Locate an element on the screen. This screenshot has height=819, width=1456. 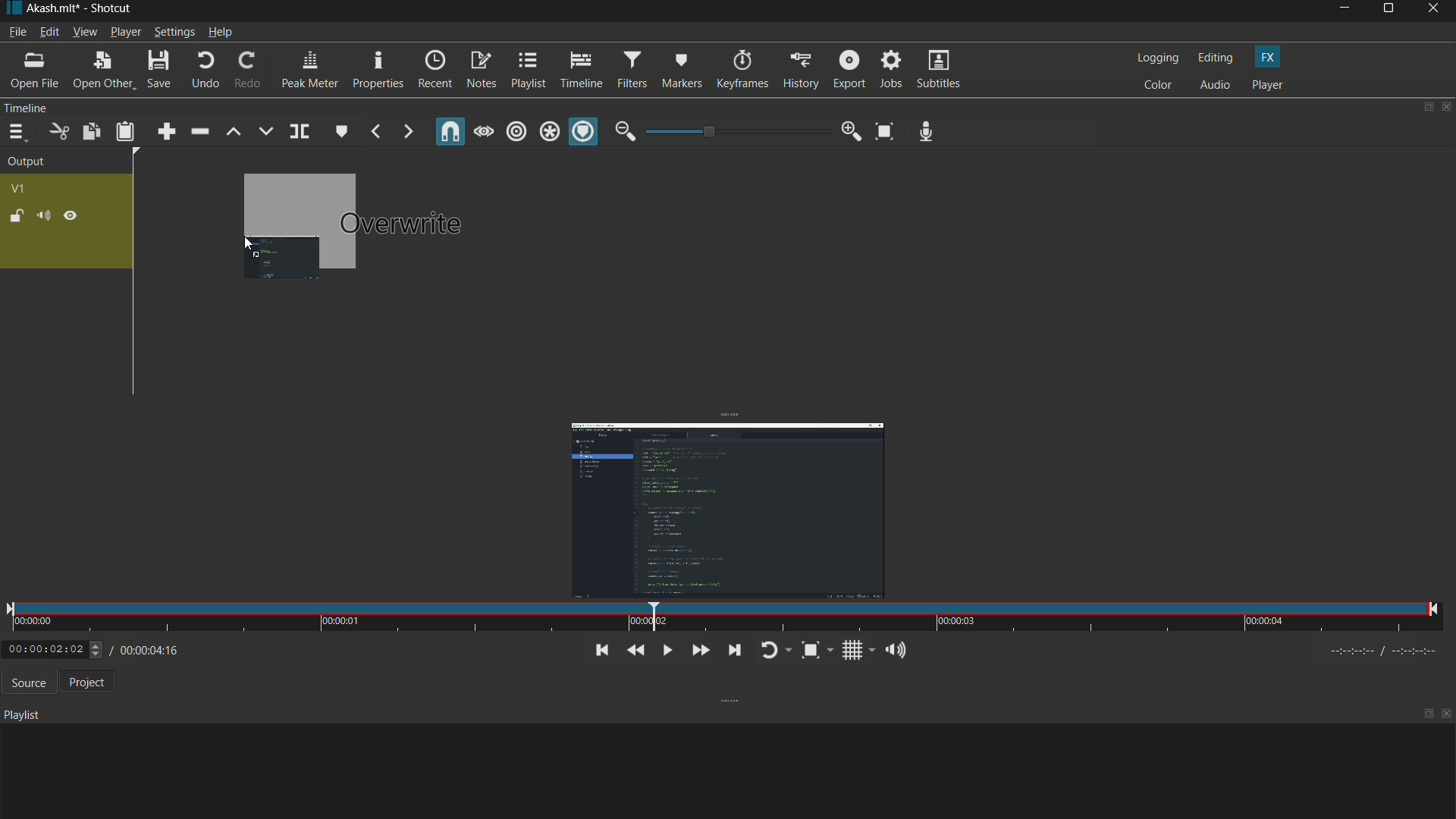
undo is located at coordinates (202, 71).